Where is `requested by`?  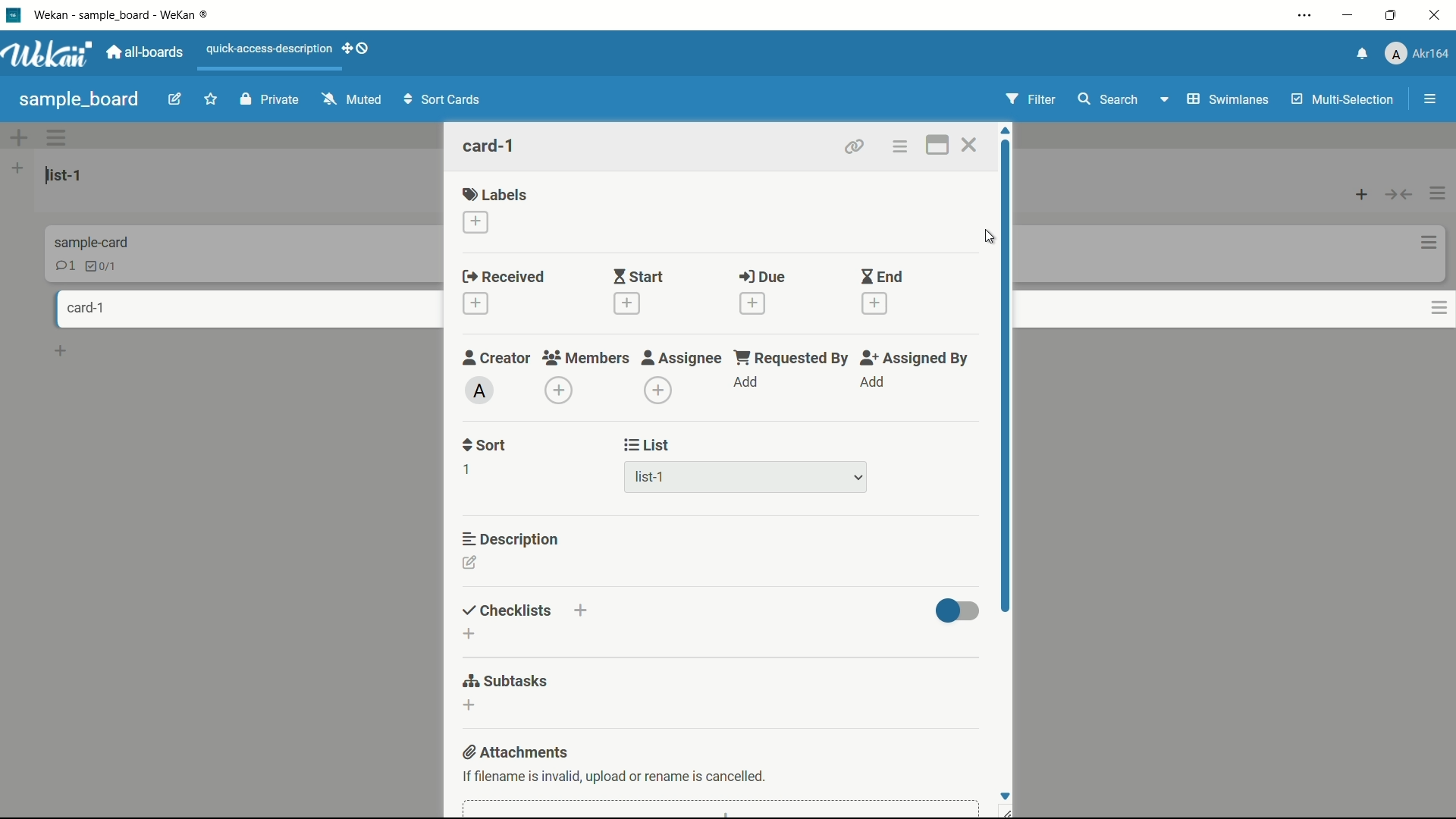 requested by is located at coordinates (790, 356).